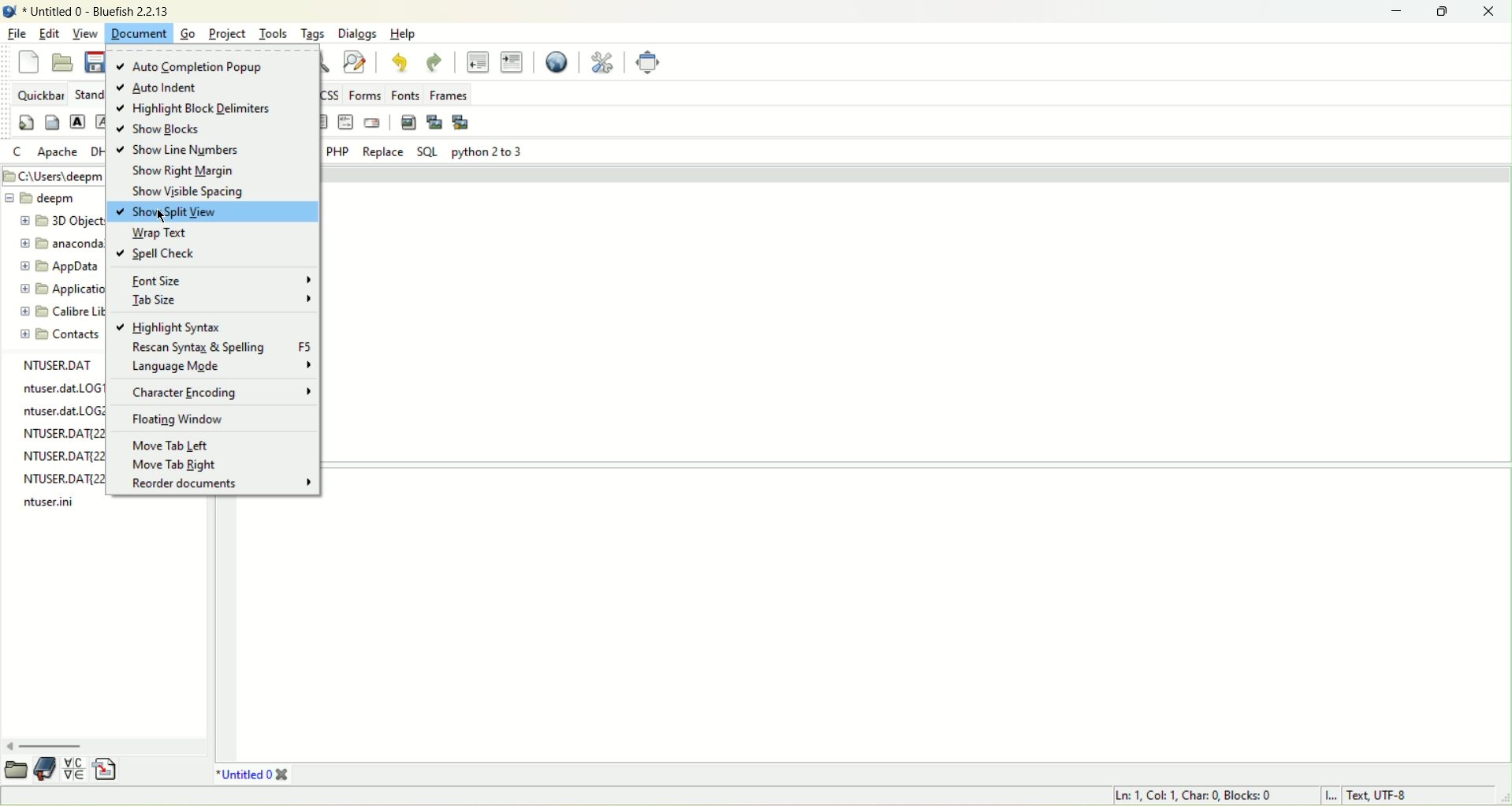 This screenshot has height=806, width=1512. What do you see at coordinates (177, 252) in the screenshot?
I see `spell check` at bounding box center [177, 252].